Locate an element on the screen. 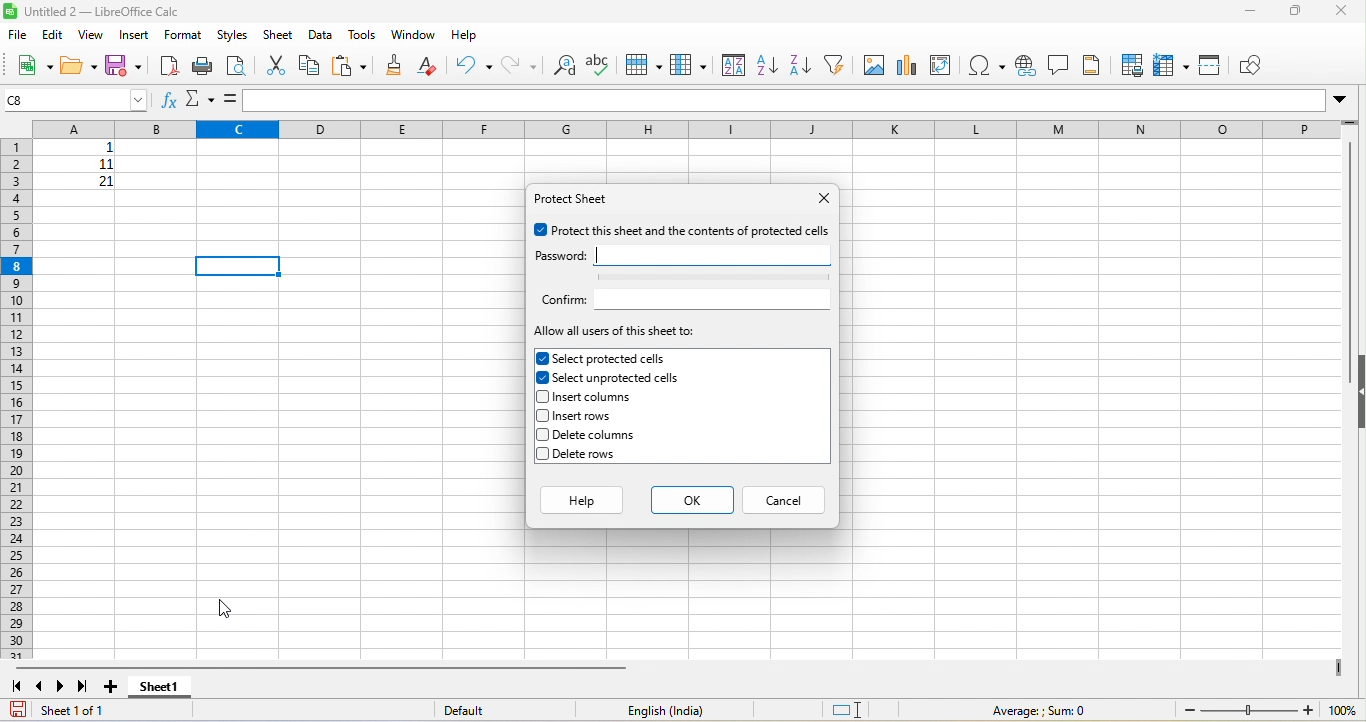 The height and width of the screenshot is (722, 1366). save is located at coordinates (19, 708).